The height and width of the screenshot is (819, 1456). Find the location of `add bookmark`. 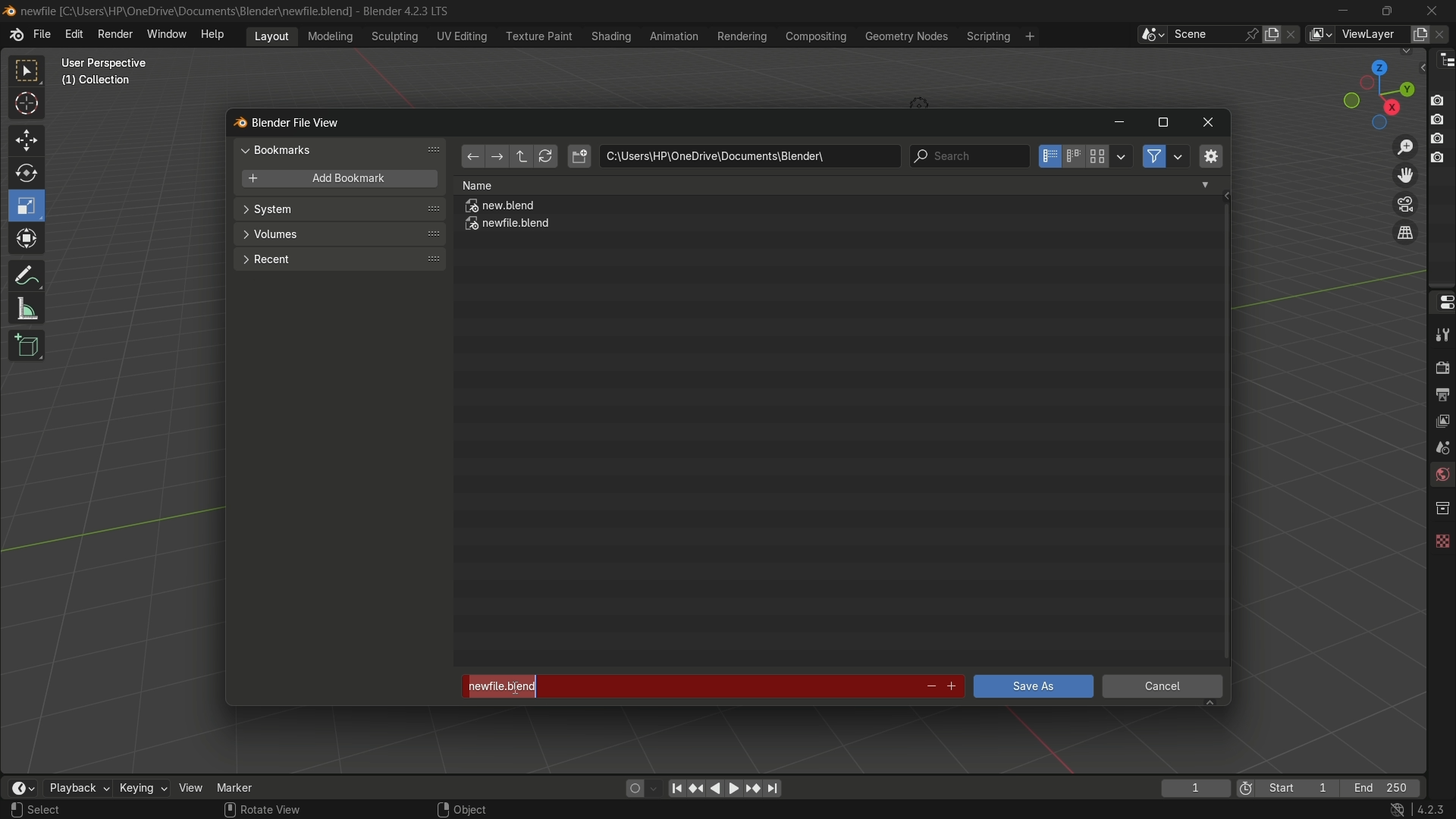

add bookmark is located at coordinates (335, 180).